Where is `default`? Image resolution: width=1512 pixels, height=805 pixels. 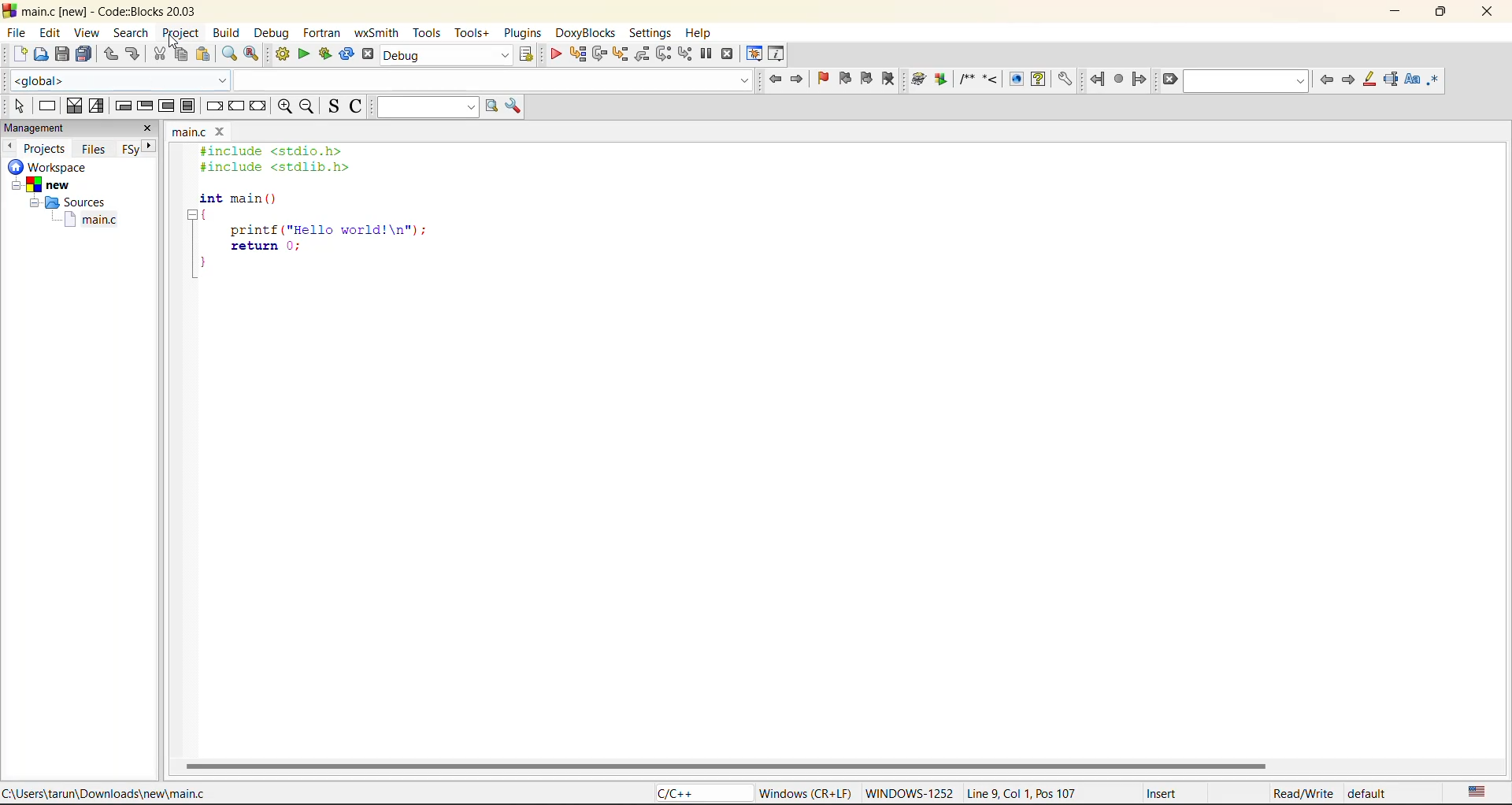 default is located at coordinates (1370, 792).